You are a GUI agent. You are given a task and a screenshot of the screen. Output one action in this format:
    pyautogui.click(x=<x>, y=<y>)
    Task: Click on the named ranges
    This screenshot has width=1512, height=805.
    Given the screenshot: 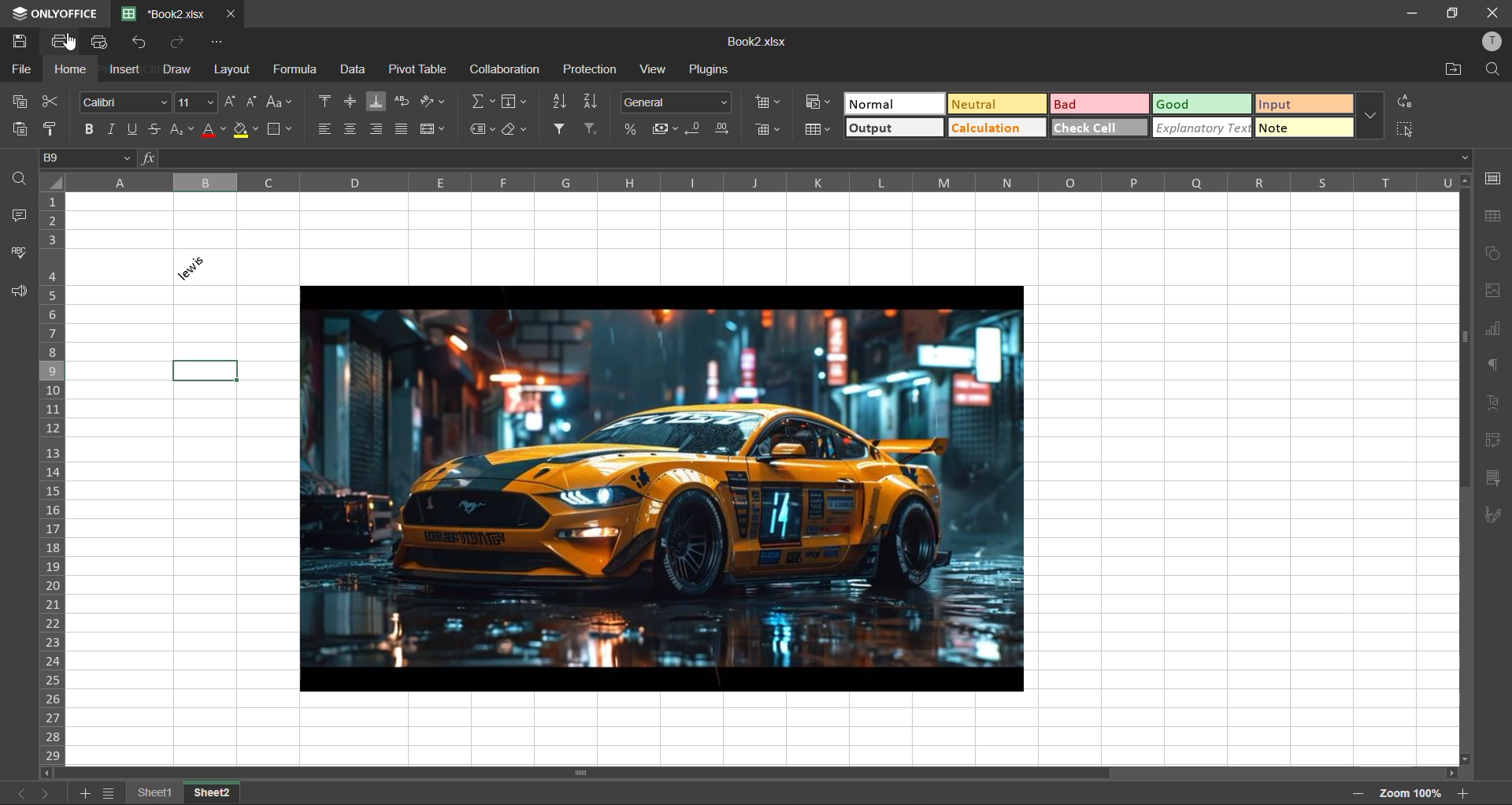 What is the action you would take?
    pyautogui.click(x=482, y=129)
    